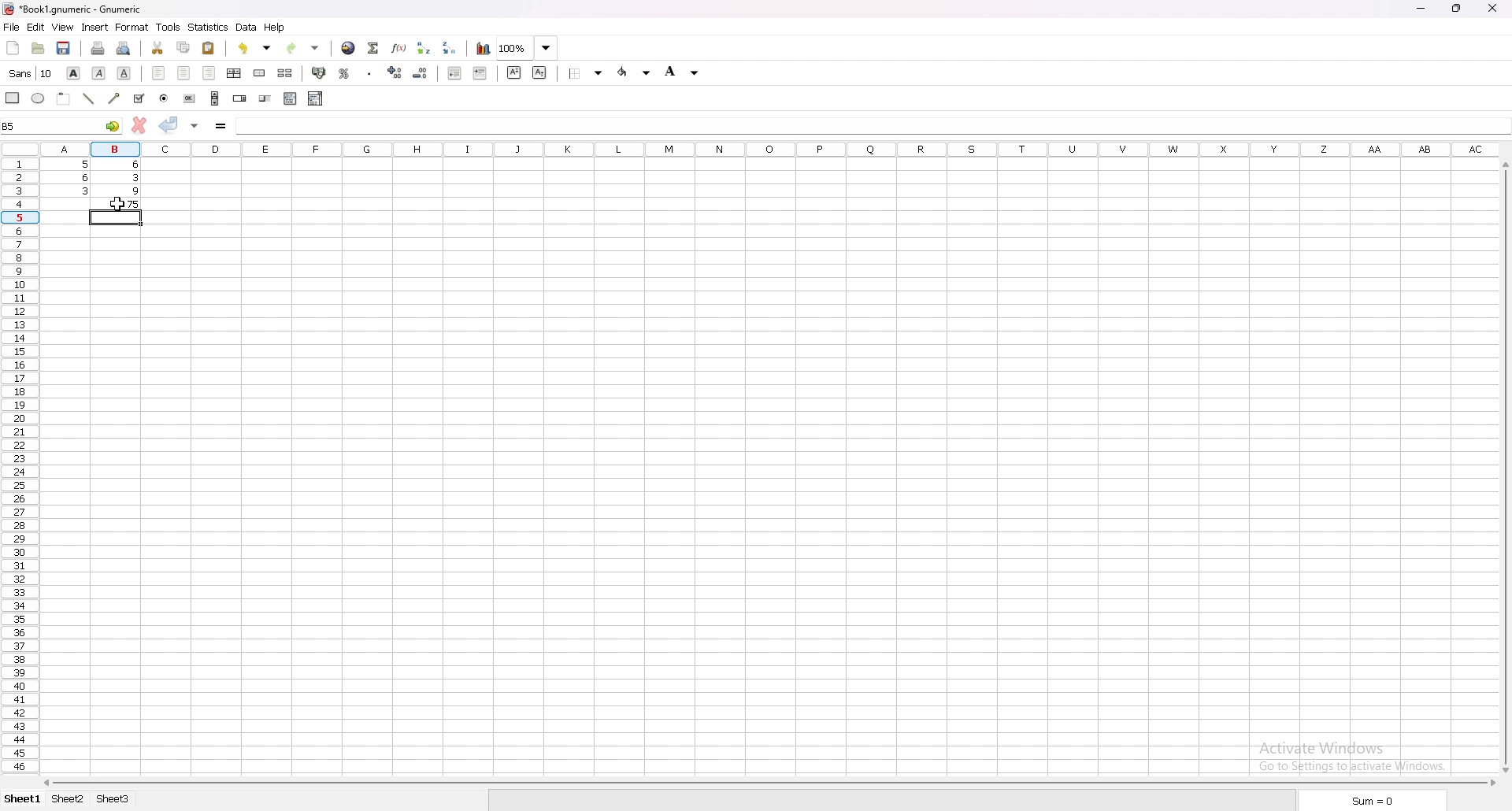 The width and height of the screenshot is (1512, 811). What do you see at coordinates (209, 28) in the screenshot?
I see `statistics` at bounding box center [209, 28].